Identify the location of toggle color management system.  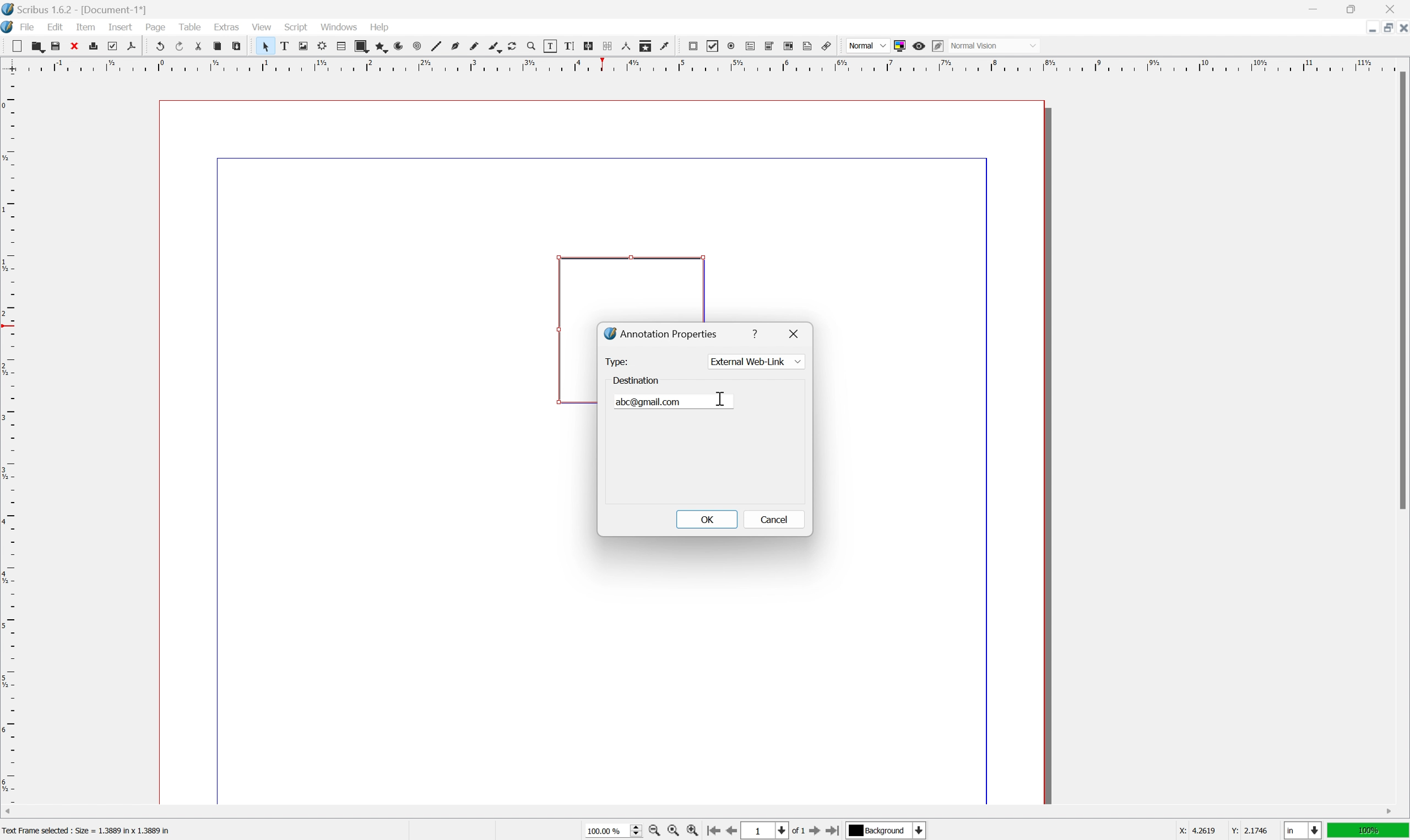
(900, 46).